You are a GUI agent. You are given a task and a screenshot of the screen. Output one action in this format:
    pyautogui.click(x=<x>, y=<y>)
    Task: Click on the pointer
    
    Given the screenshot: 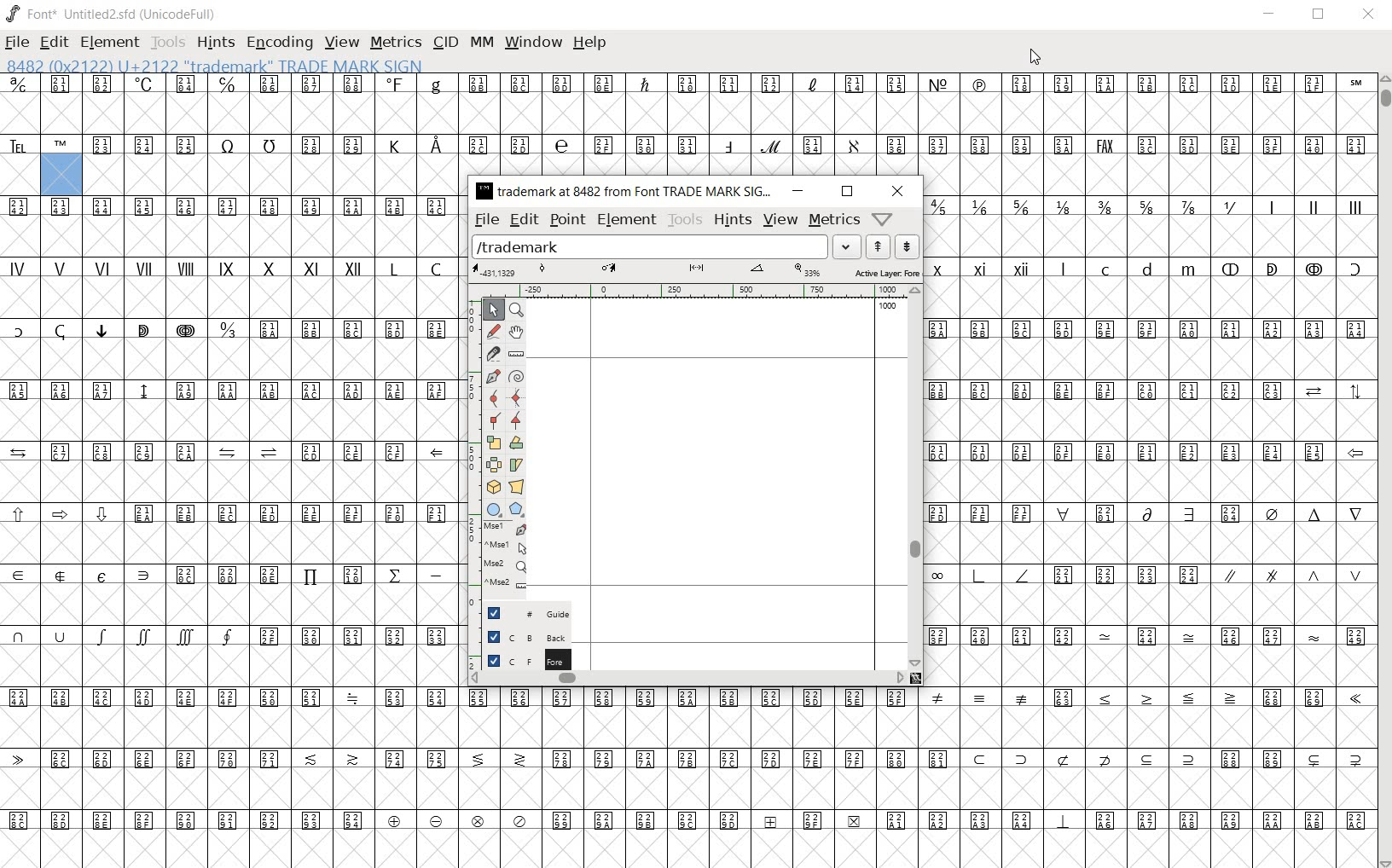 What is the action you would take?
    pyautogui.click(x=493, y=310)
    